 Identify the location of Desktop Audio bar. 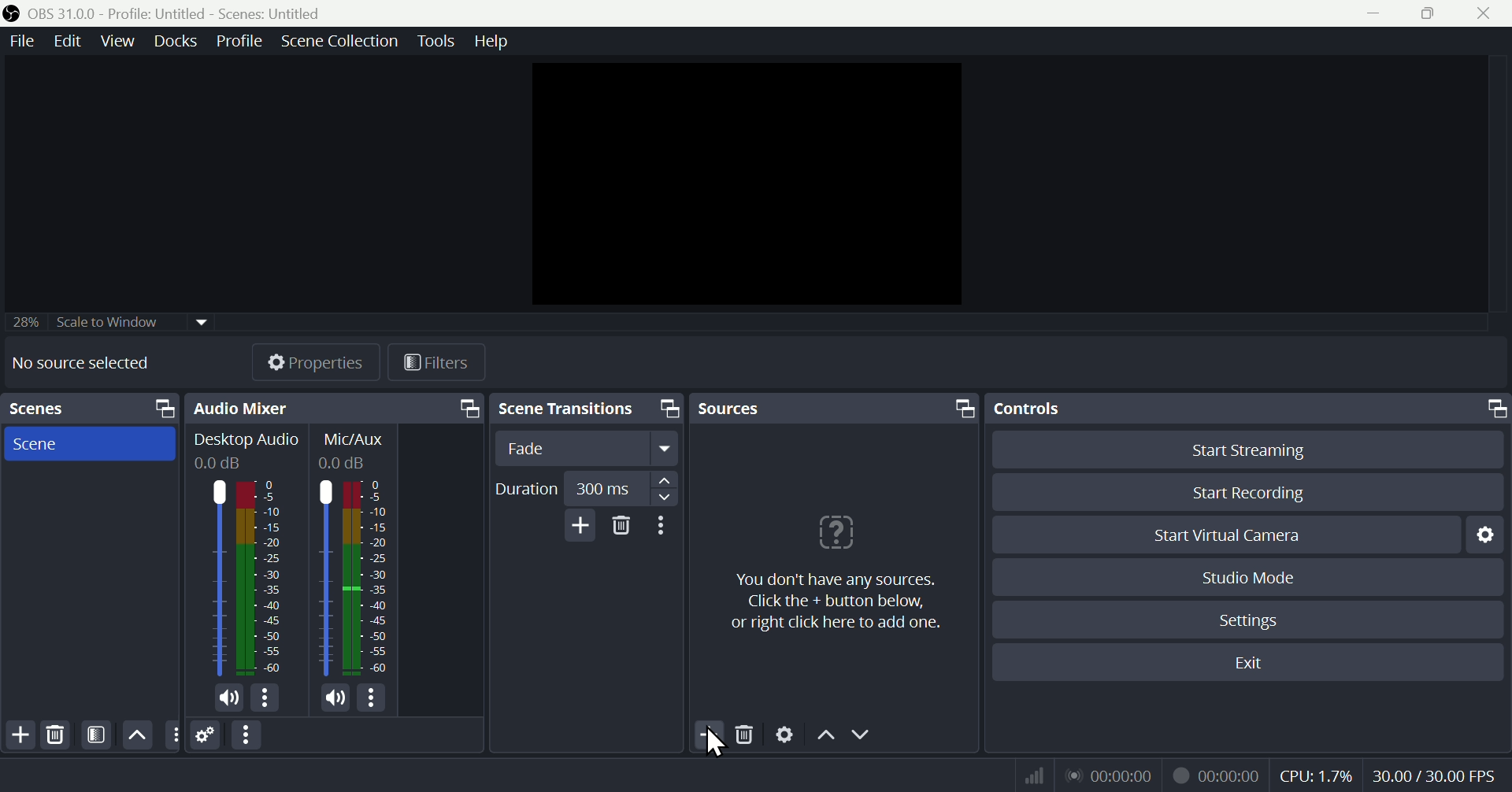
(260, 578).